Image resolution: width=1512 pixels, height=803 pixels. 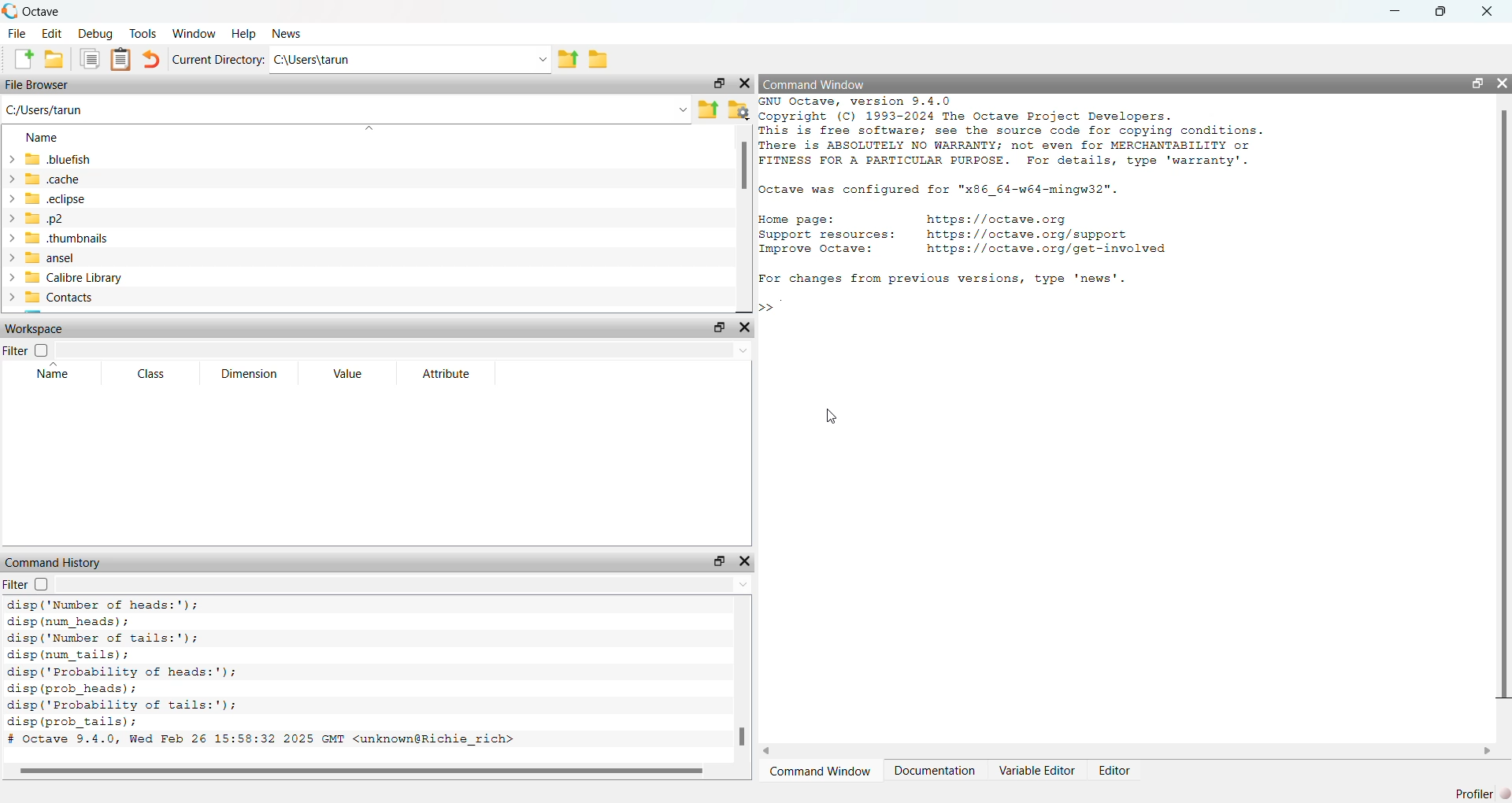 I want to click on Profiler, so click(x=1474, y=794).